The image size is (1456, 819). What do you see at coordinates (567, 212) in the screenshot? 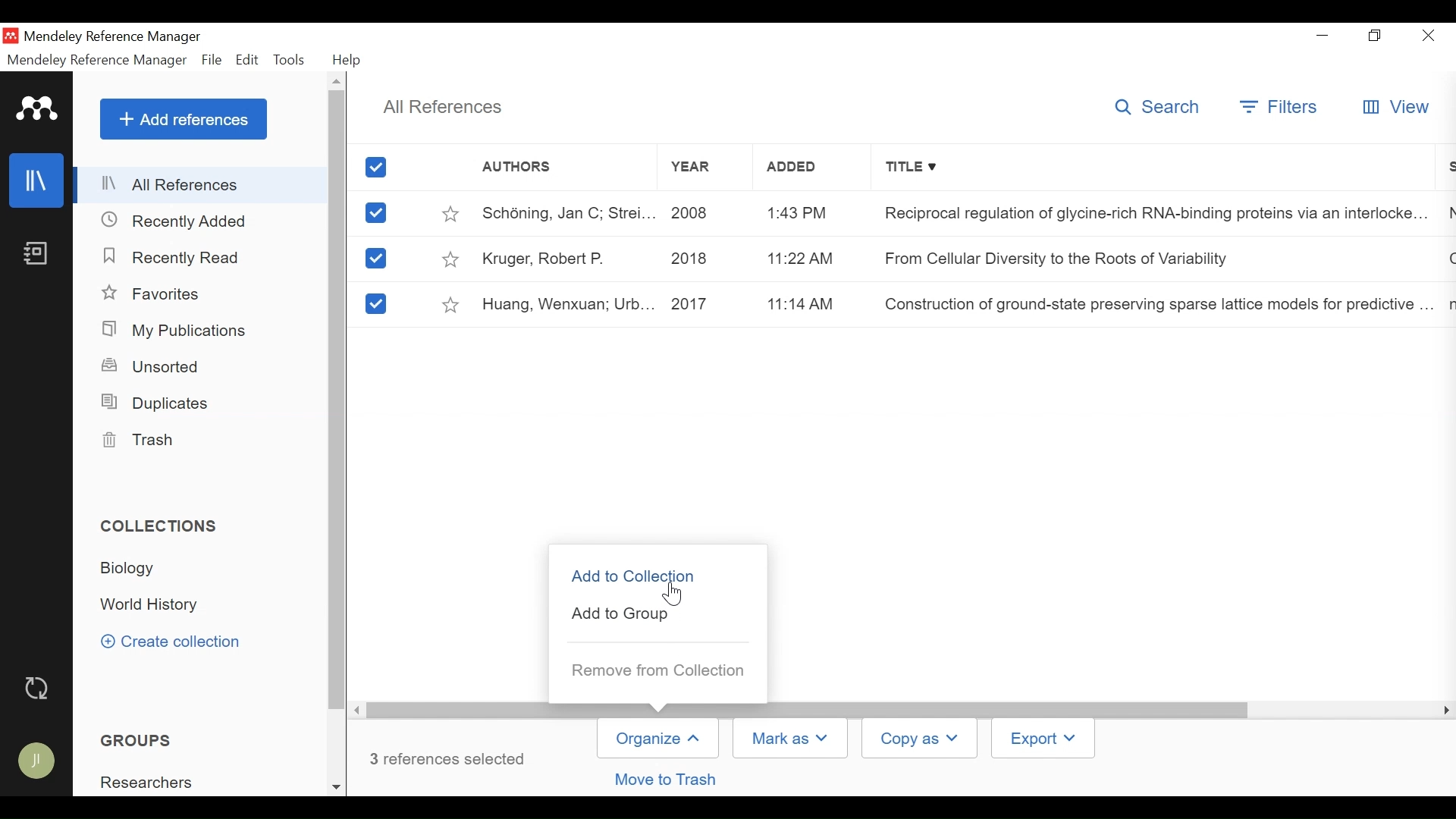
I see `Schoning, Jan C; Strei...` at bounding box center [567, 212].